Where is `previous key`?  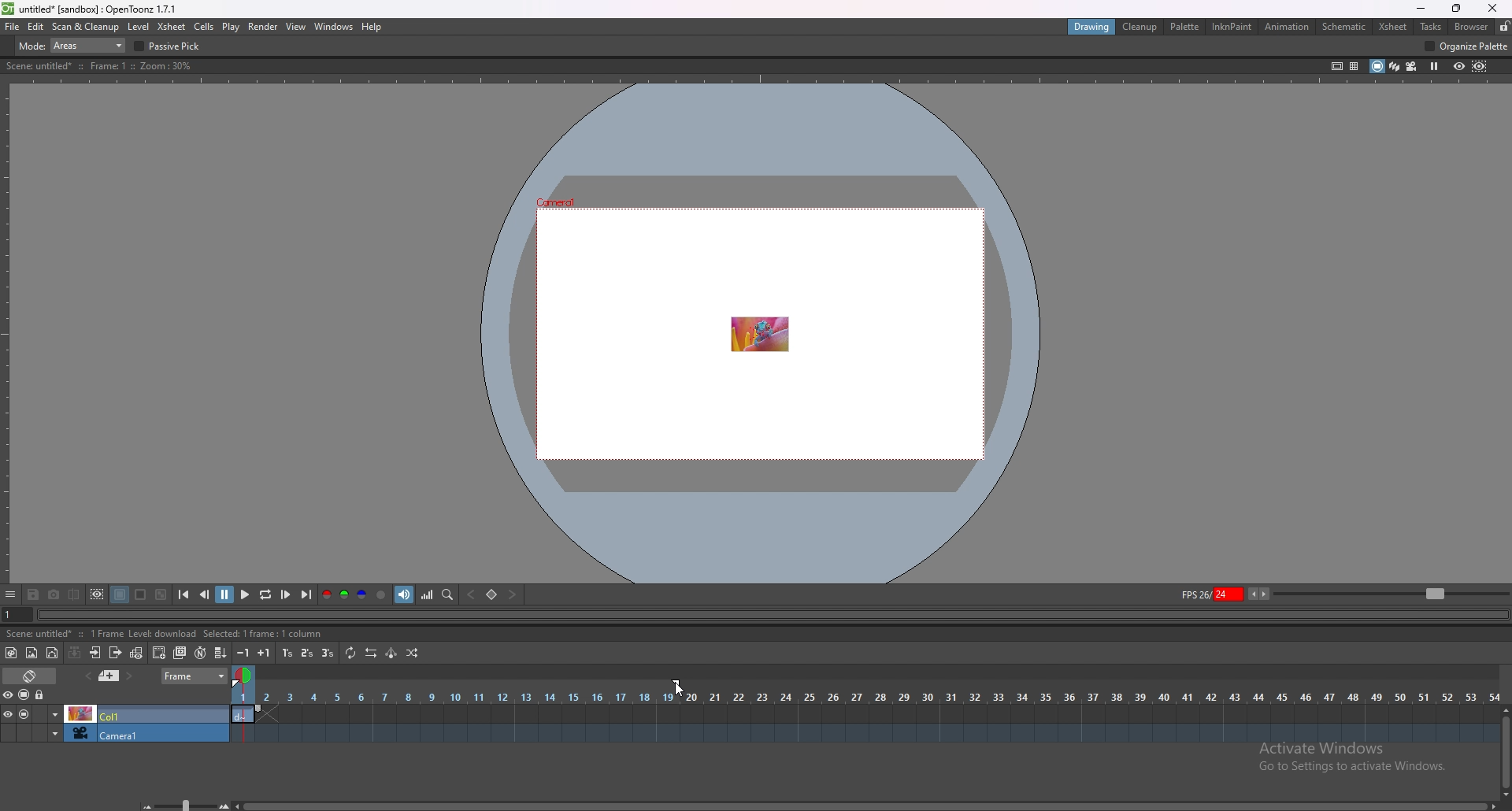
previous key is located at coordinates (472, 594).